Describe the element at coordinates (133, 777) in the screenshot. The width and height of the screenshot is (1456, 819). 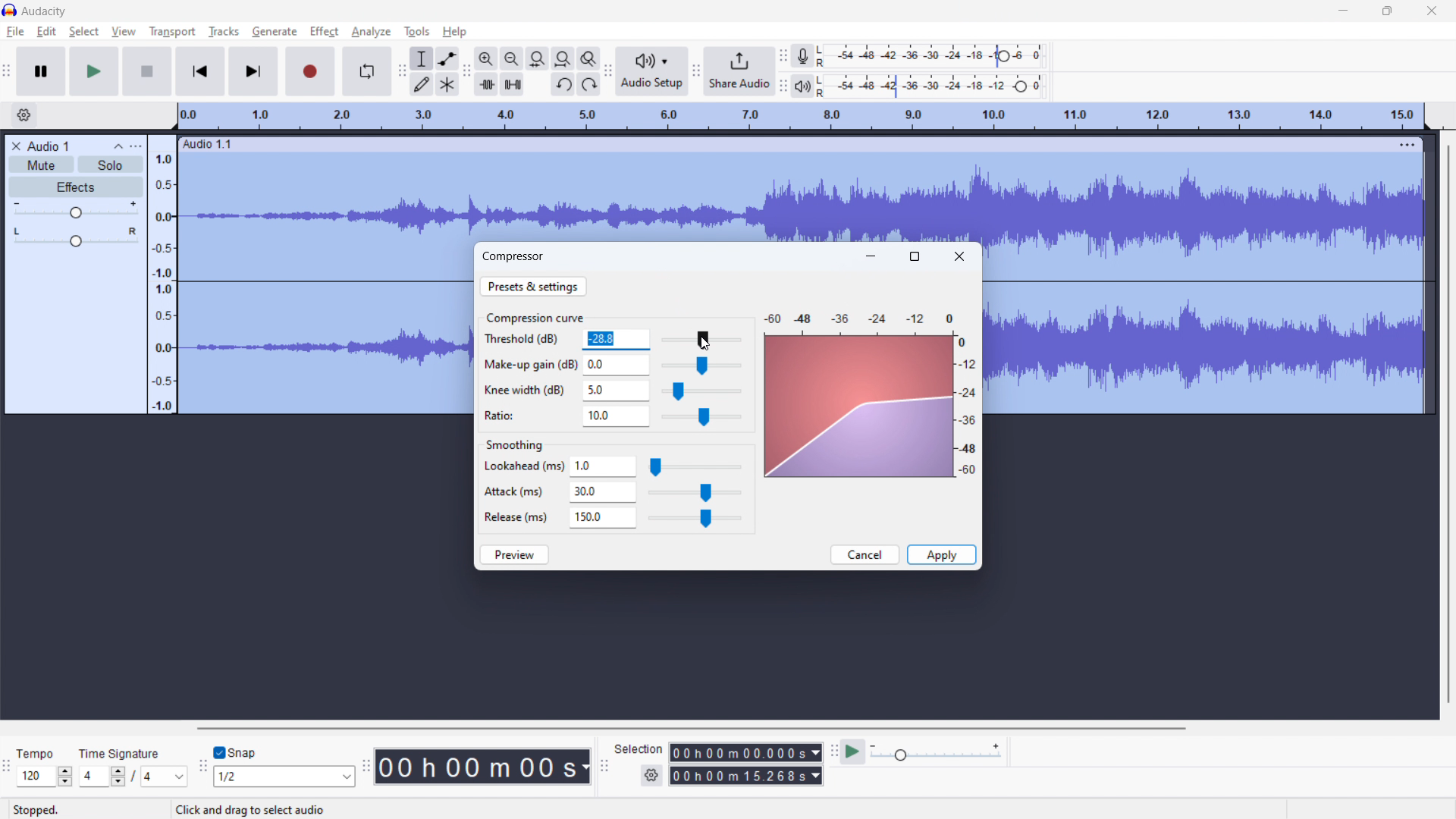
I see `4/4 (set time signature)` at that location.